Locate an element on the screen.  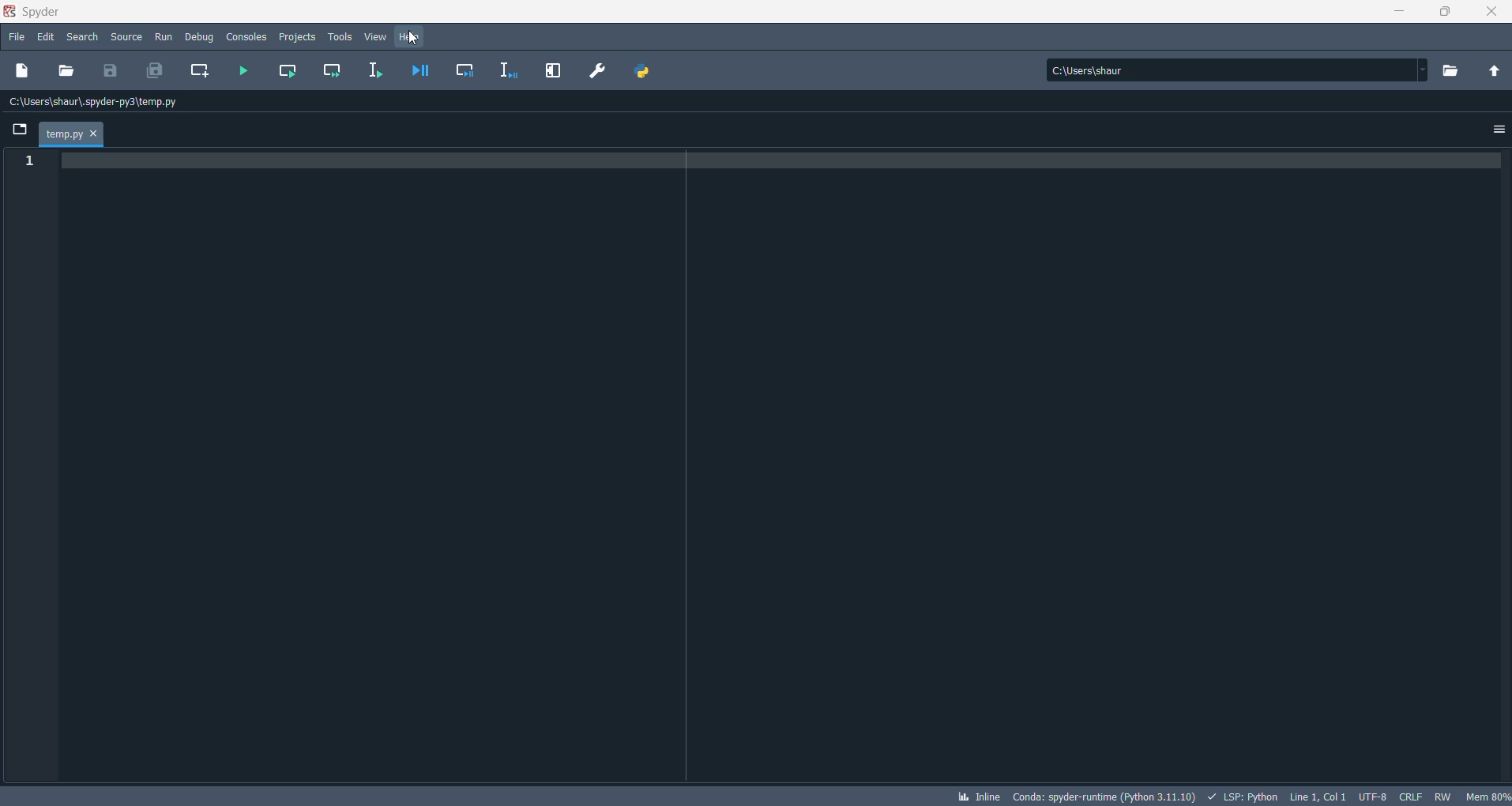
options is located at coordinates (1496, 133).